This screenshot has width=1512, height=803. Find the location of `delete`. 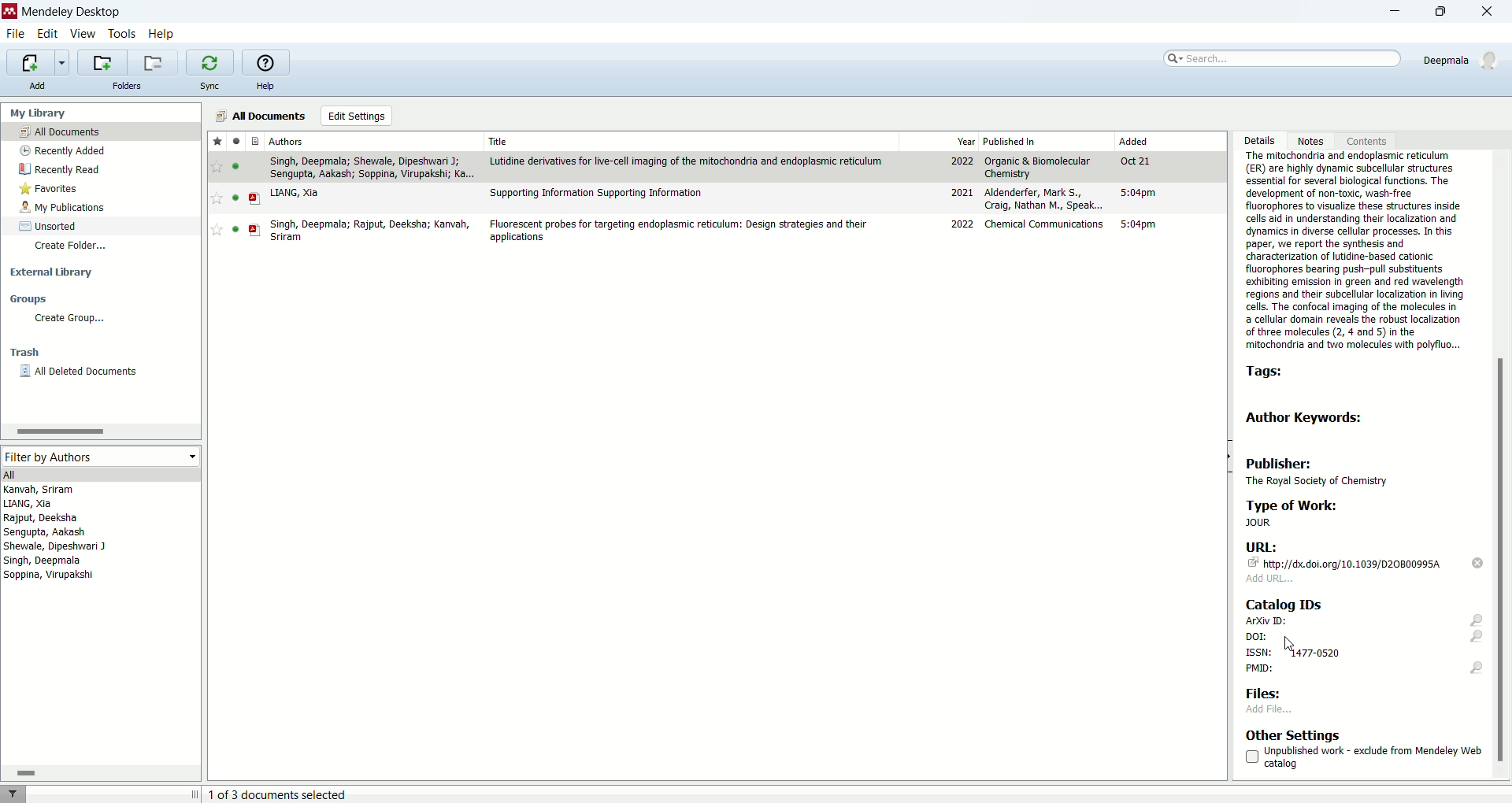

delete is located at coordinates (1479, 563).